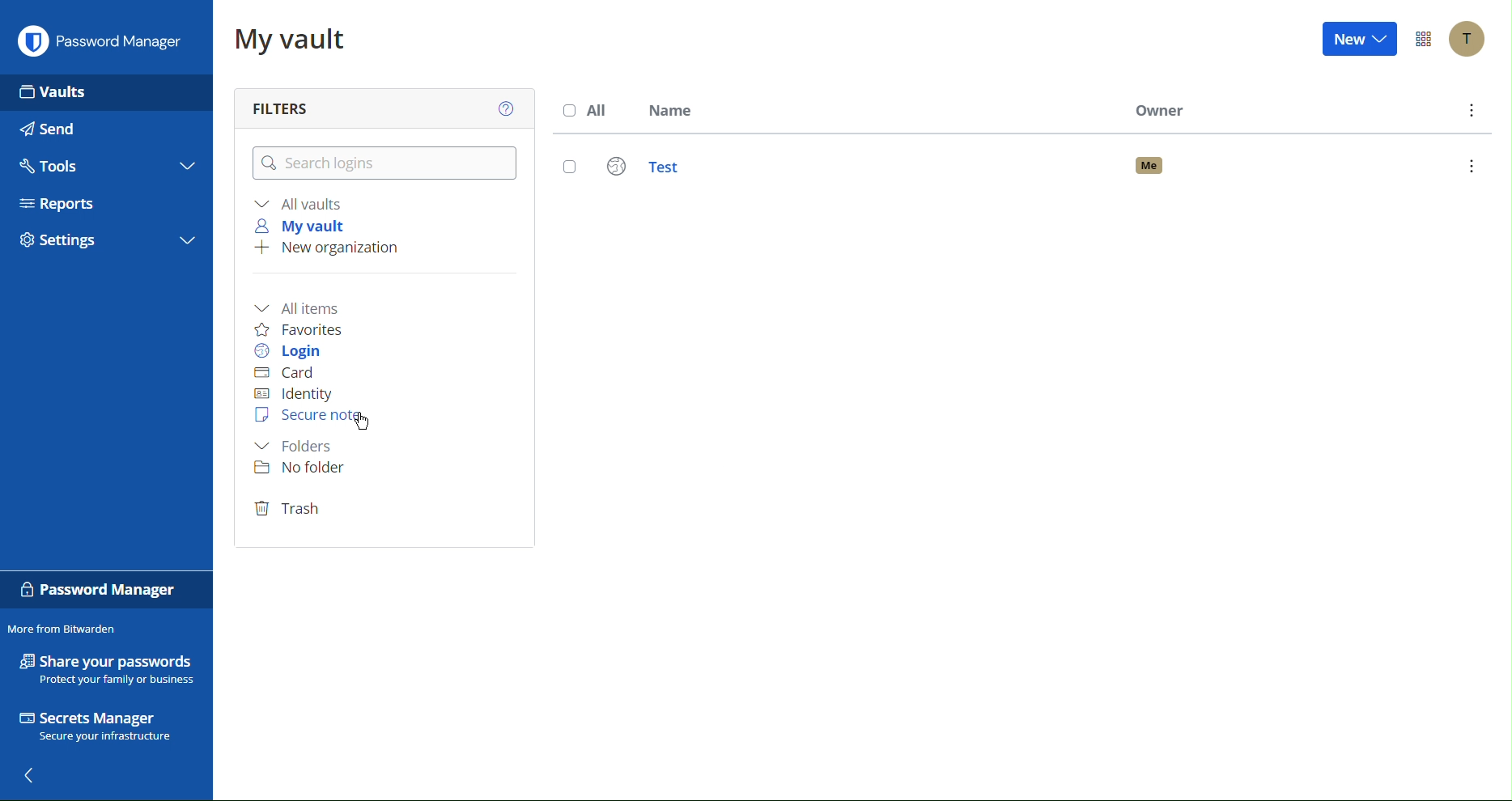  Describe the element at coordinates (63, 204) in the screenshot. I see `Reports` at that location.